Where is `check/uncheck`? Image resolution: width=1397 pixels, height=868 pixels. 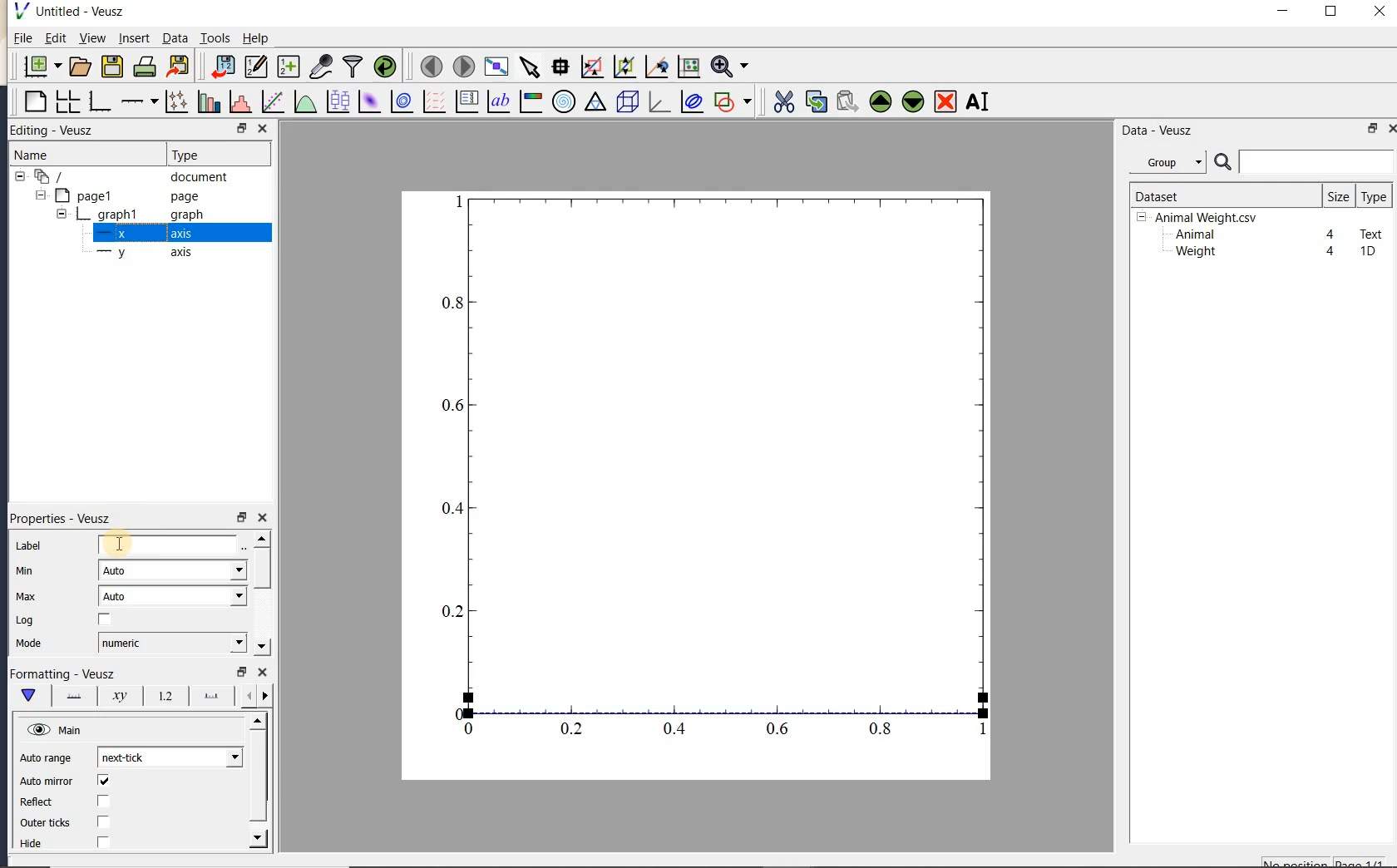
check/uncheck is located at coordinates (105, 620).